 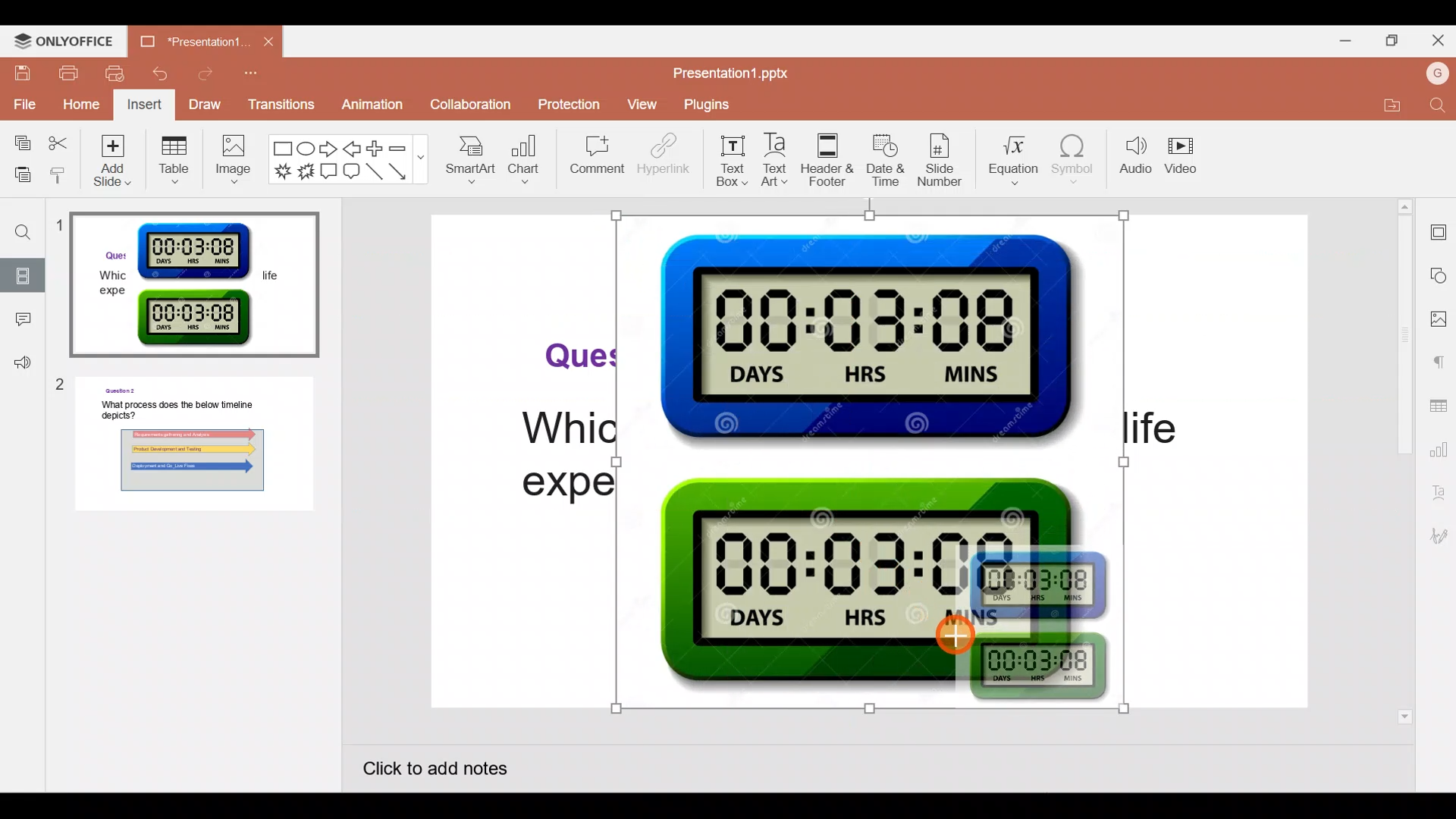 What do you see at coordinates (191, 451) in the screenshot?
I see `Slide 2 preview` at bounding box center [191, 451].